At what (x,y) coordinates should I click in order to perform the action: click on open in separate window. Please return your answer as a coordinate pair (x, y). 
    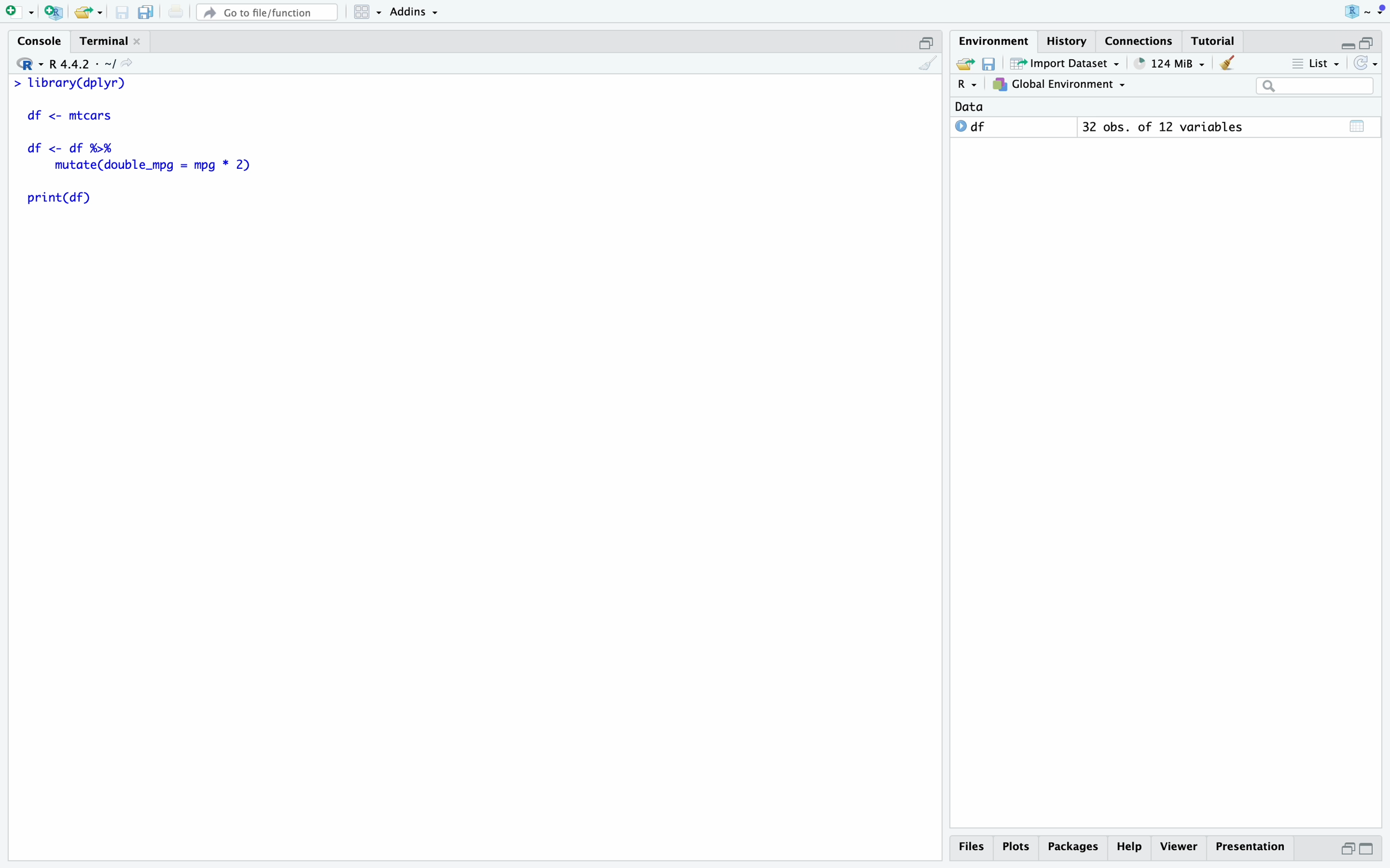
    Looking at the image, I should click on (1366, 42).